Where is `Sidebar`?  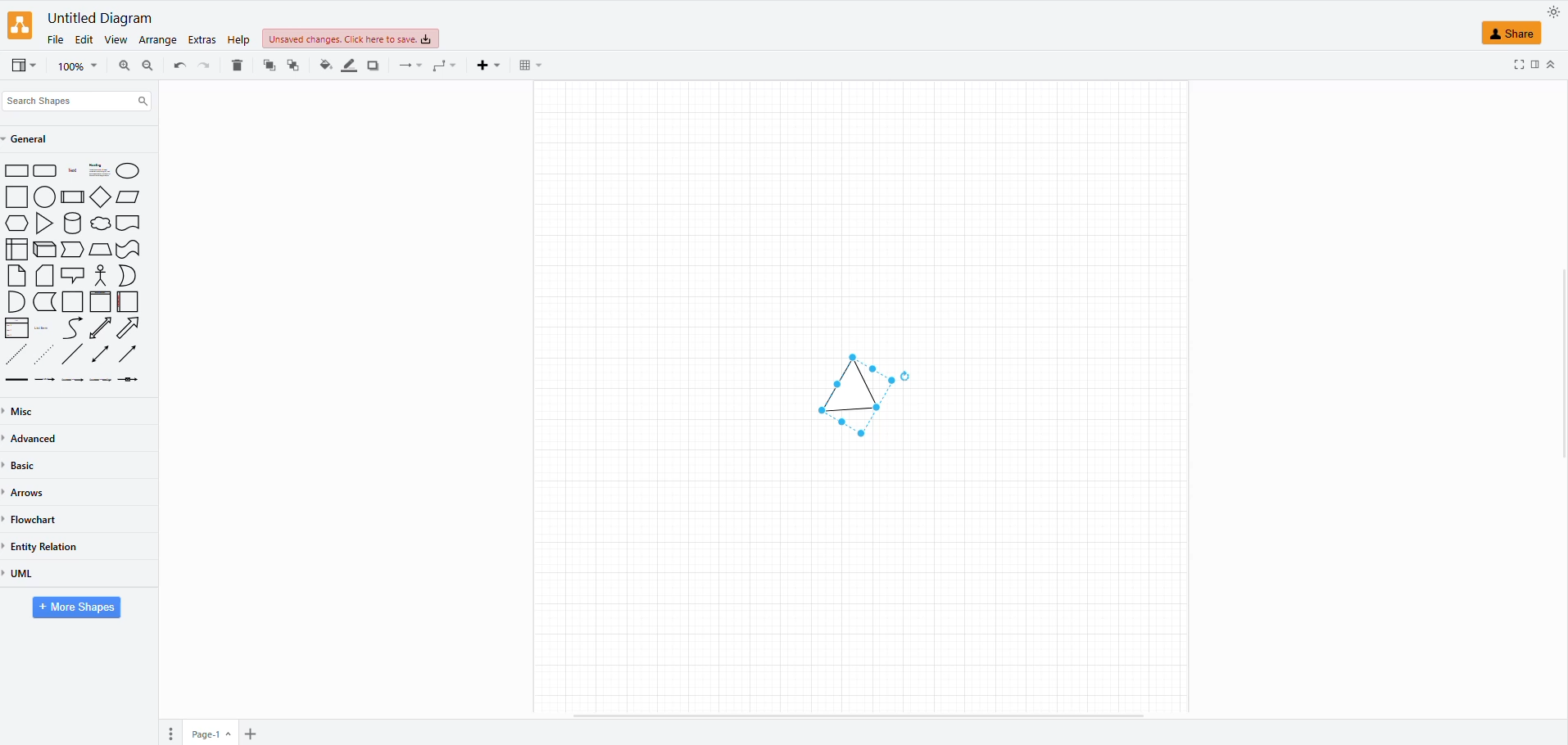
Sidebar is located at coordinates (129, 302).